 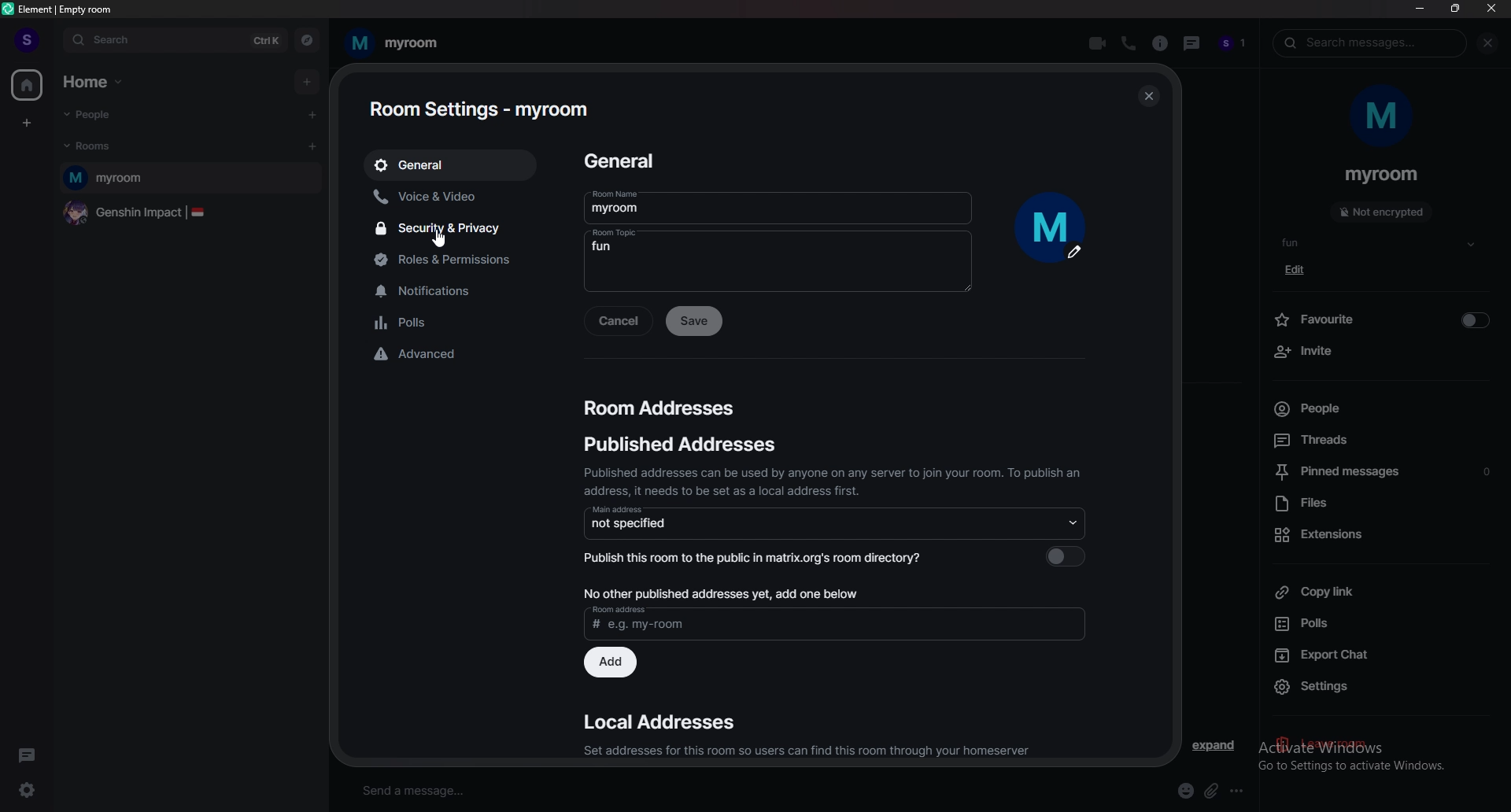 I want to click on polls, so click(x=456, y=325).